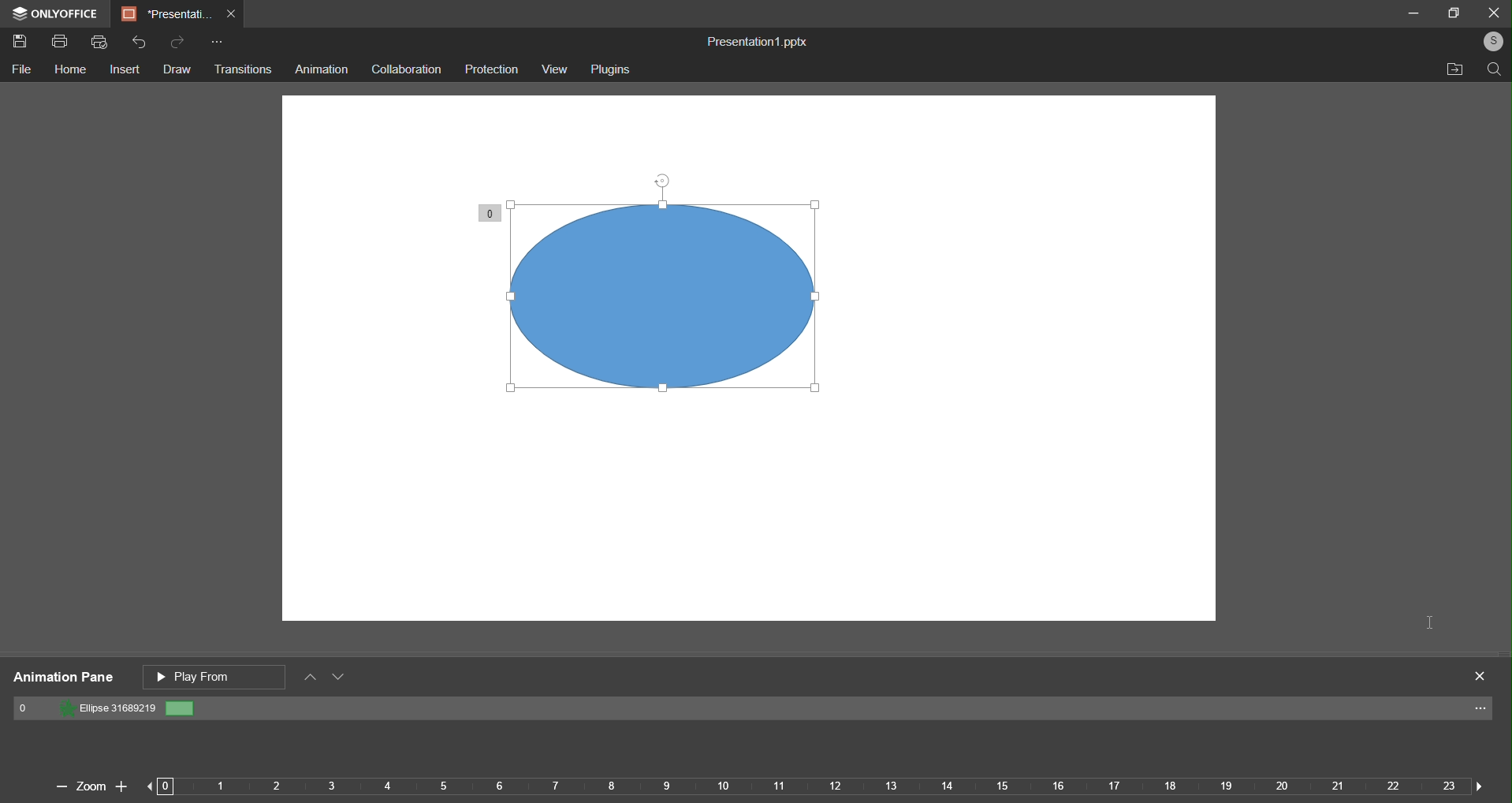  What do you see at coordinates (819, 790) in the screenshot?
I see `Timeline` at bounding box center [819, 790].